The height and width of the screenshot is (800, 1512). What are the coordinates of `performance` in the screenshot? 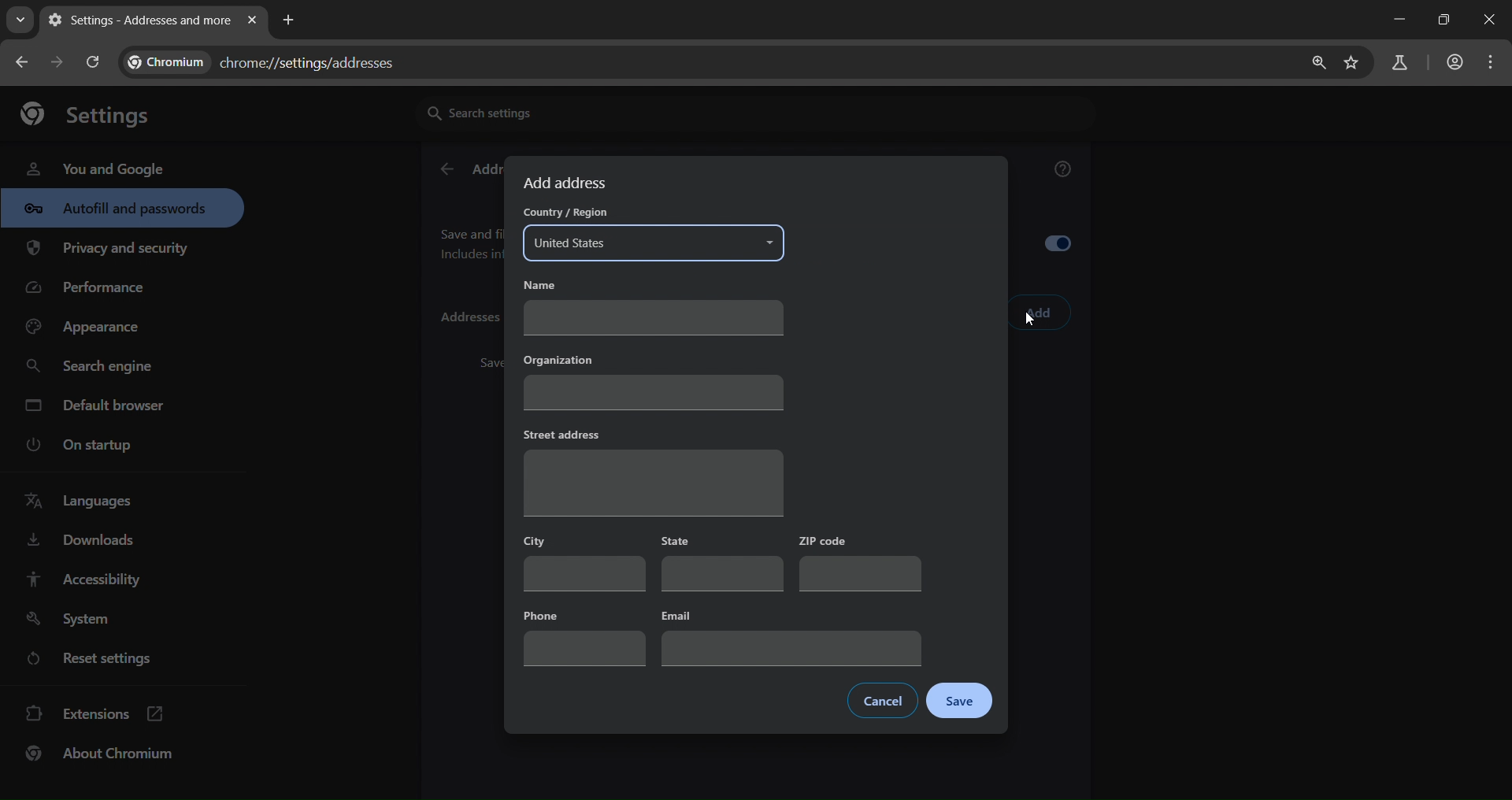 It's located at (91, 291).